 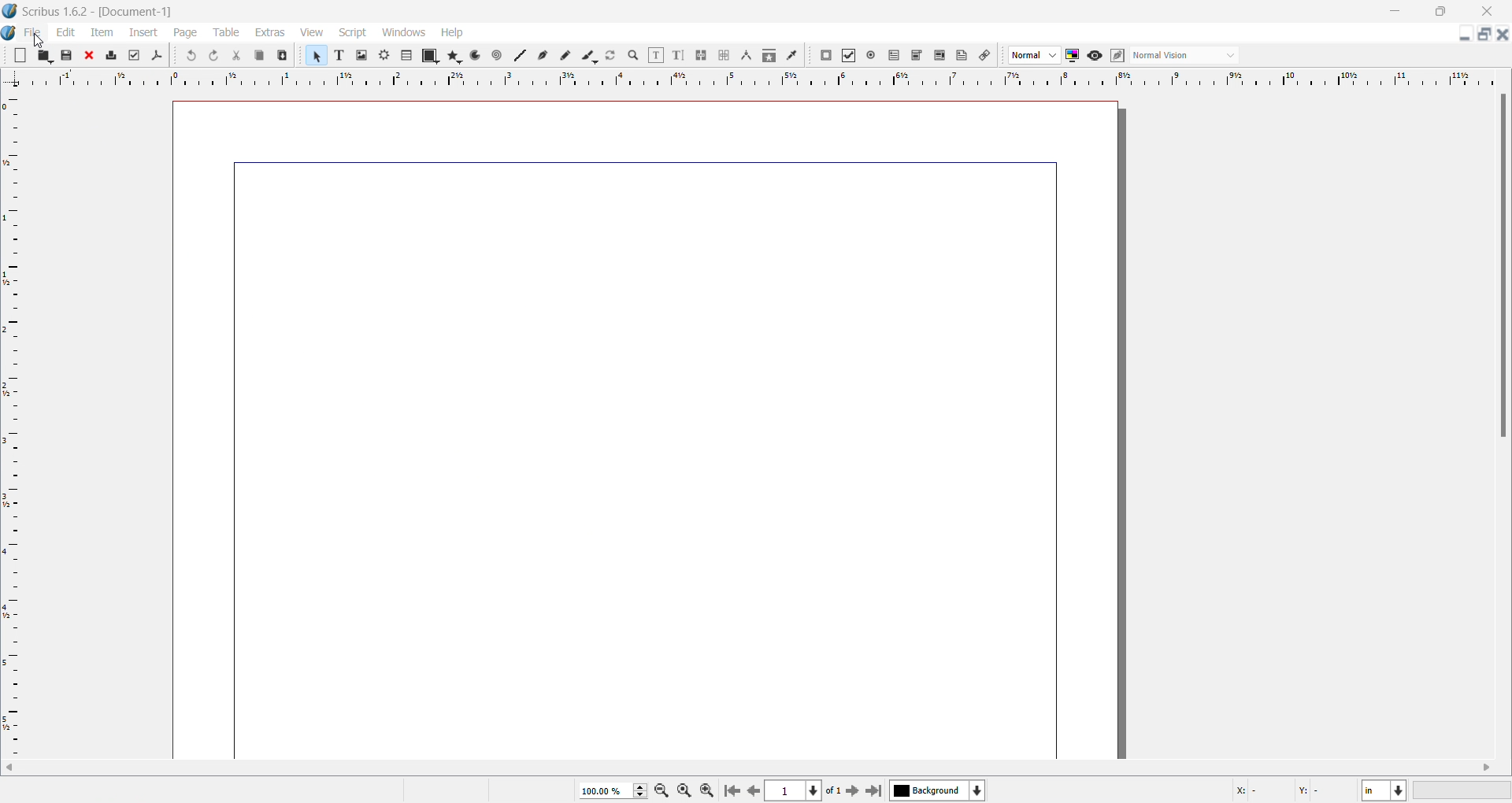 I want to click on multiple tabs, so click(x=1485, y=32).